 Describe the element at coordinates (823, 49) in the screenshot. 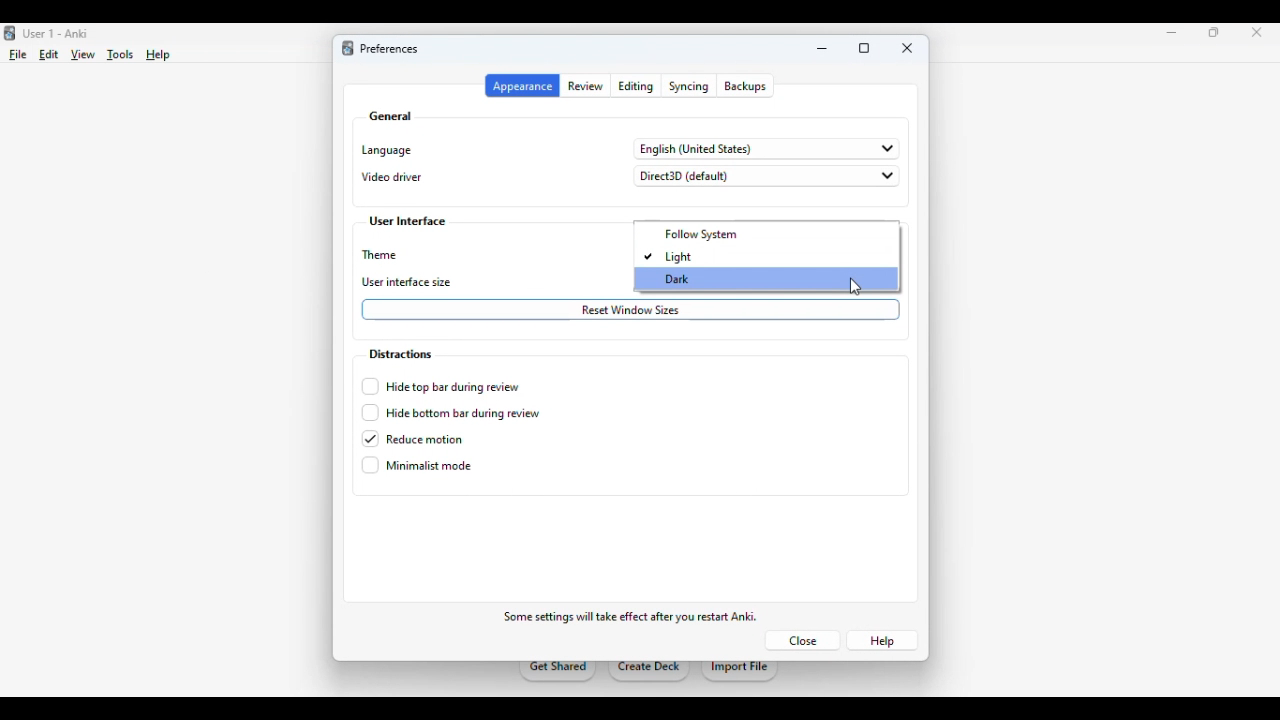

I see `minimize` at that location.